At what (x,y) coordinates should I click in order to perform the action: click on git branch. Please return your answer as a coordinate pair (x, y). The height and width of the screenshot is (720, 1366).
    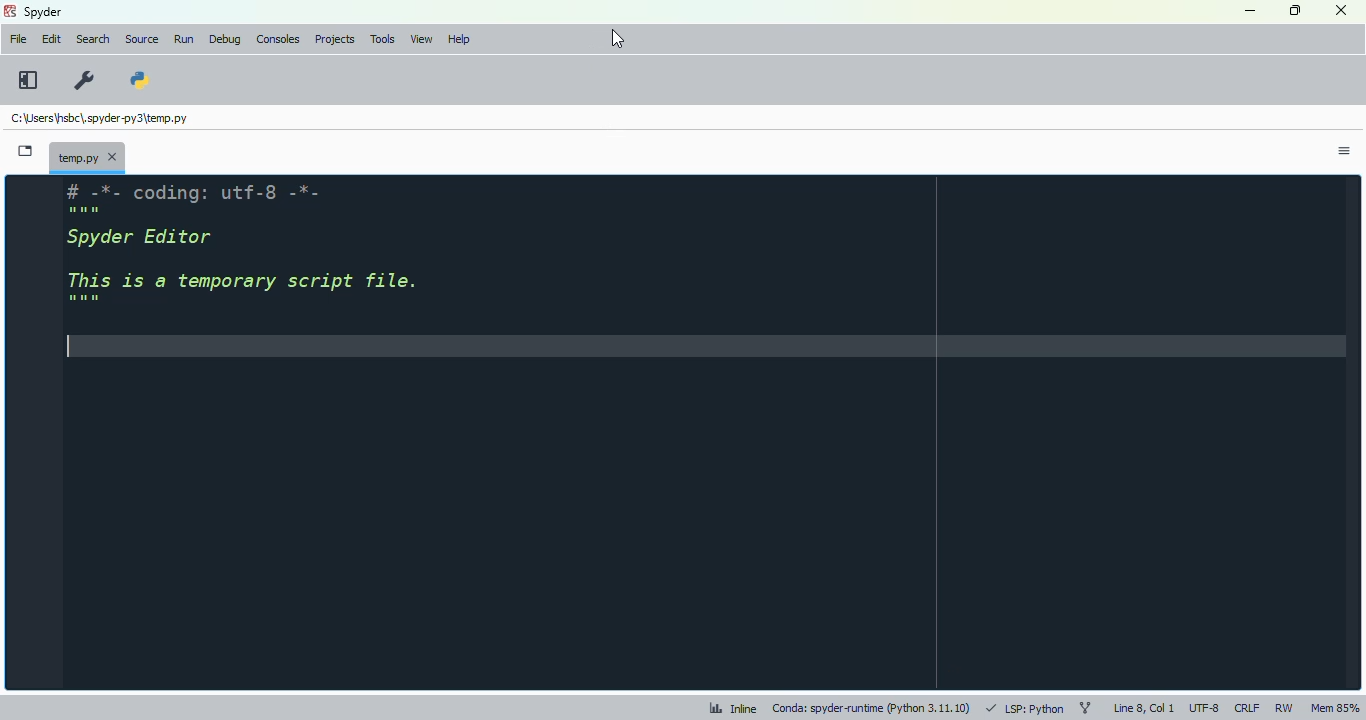
    Looking at the image, I should click on (1086, 710).